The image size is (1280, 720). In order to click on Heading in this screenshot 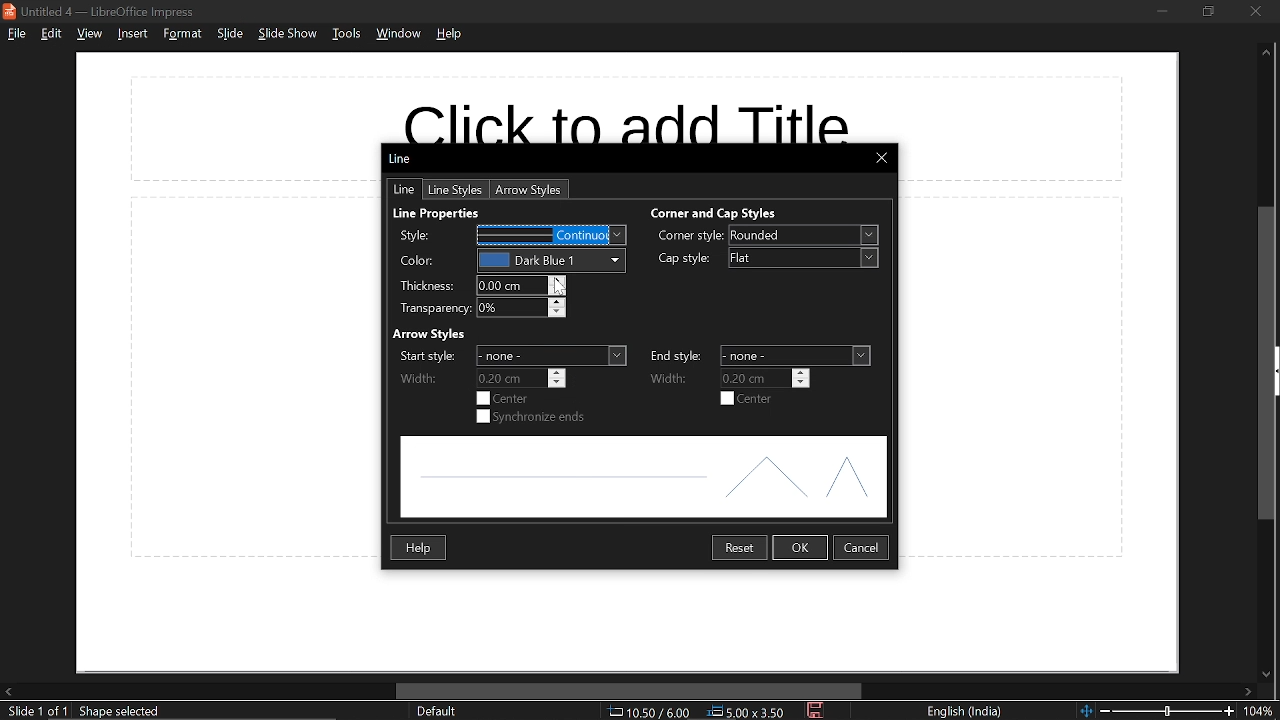, I will do `click(430, 335)`.